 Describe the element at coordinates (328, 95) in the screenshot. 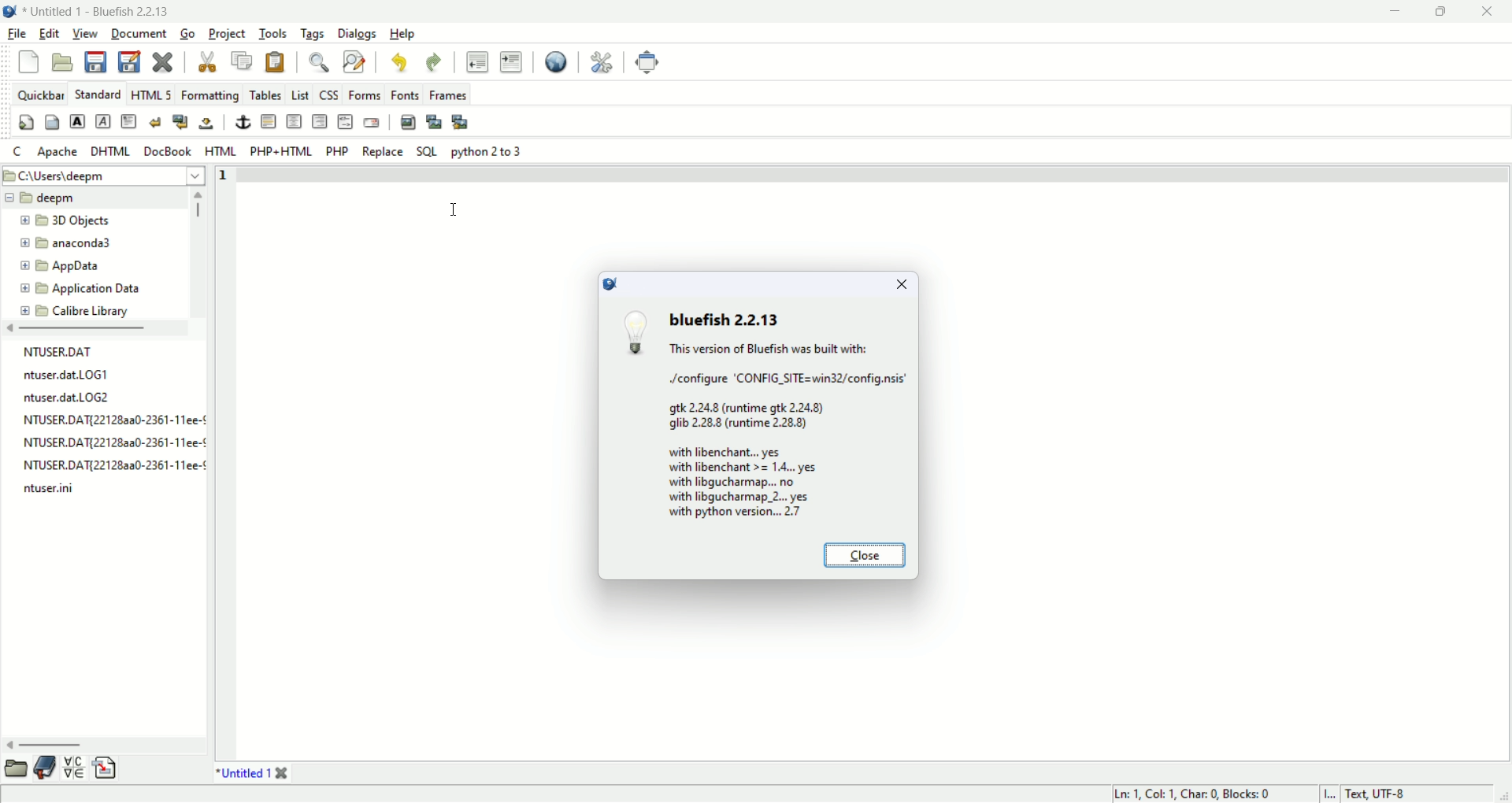

I see `CSS` at that location.